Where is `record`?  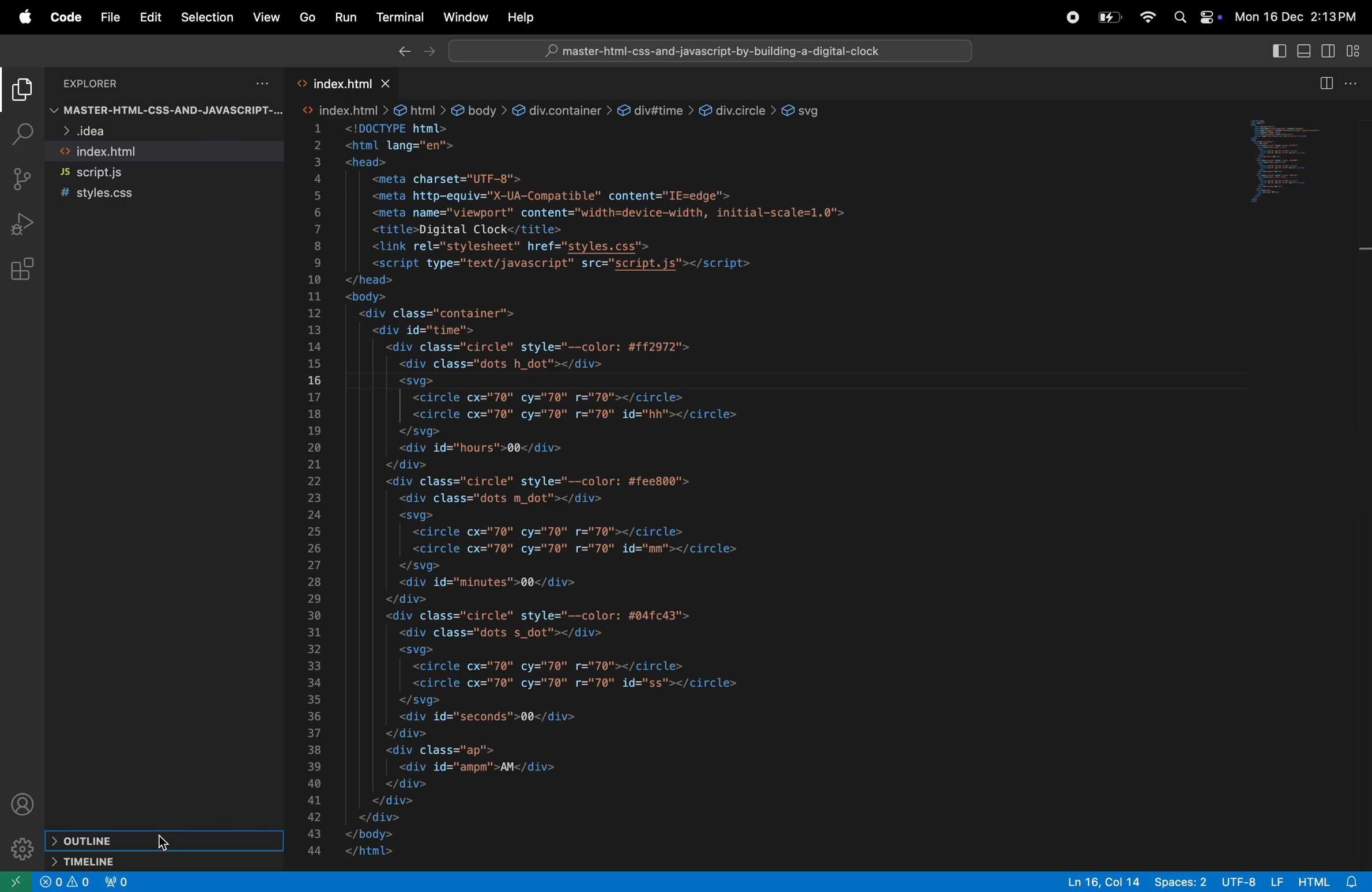 record is located at coordinates (1068, 17).